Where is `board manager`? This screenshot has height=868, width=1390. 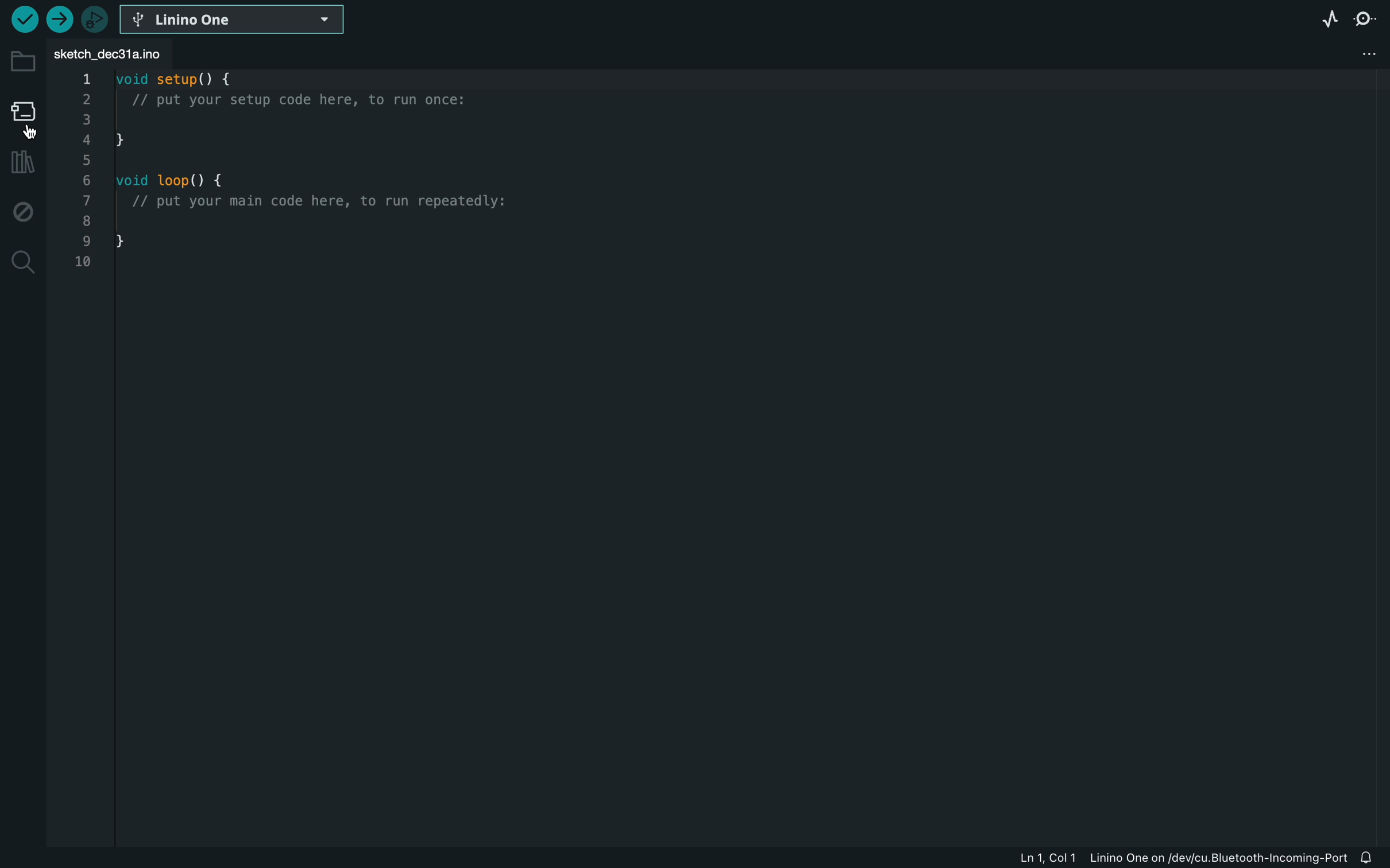
board manager is located at coordinates (24, 115).